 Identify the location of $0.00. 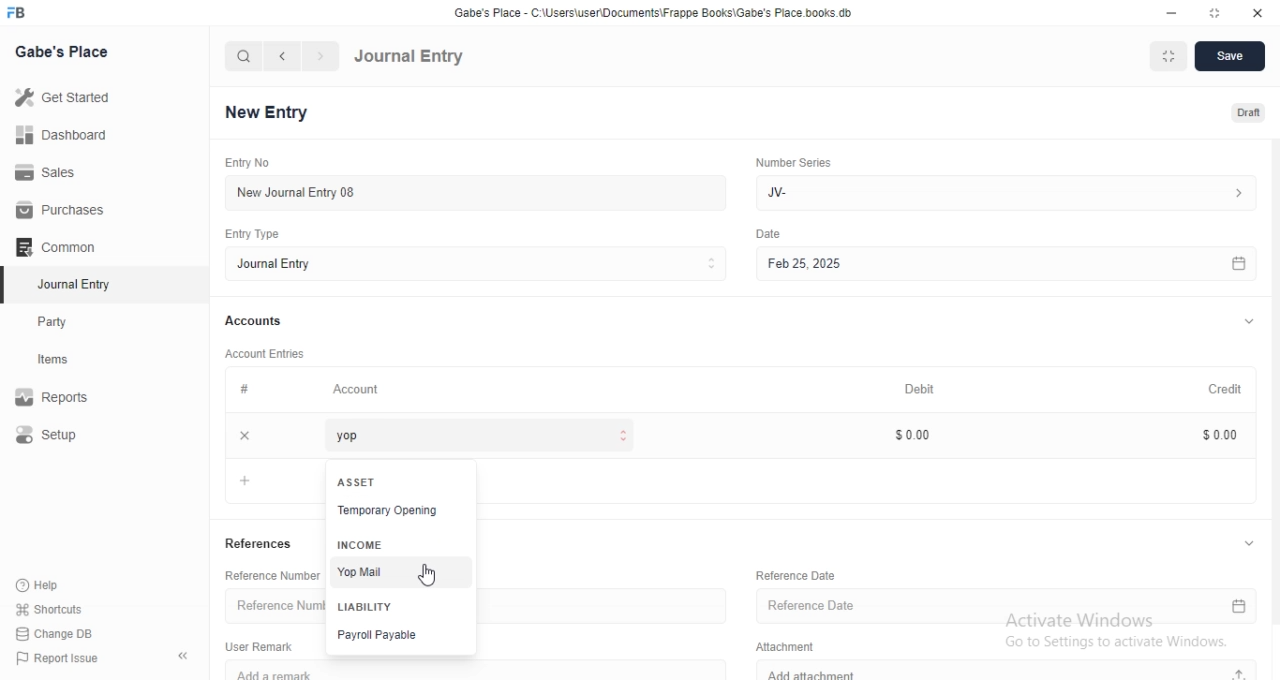
(911, 435).